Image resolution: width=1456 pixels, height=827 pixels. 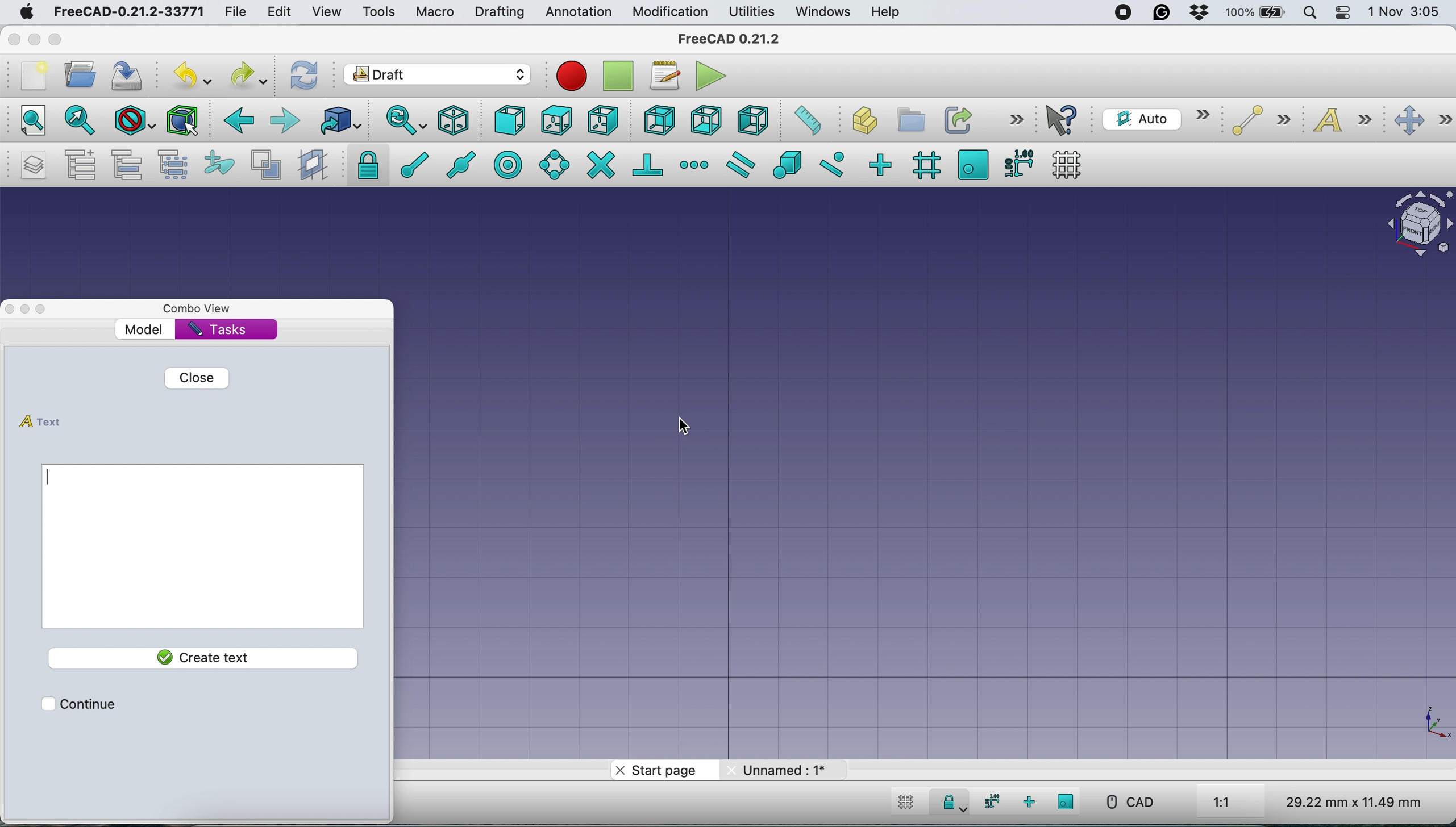 What do you see at coordinates (78, 166) in the screenshot?
I see `add a new named group` at bounding box center [78, 166].